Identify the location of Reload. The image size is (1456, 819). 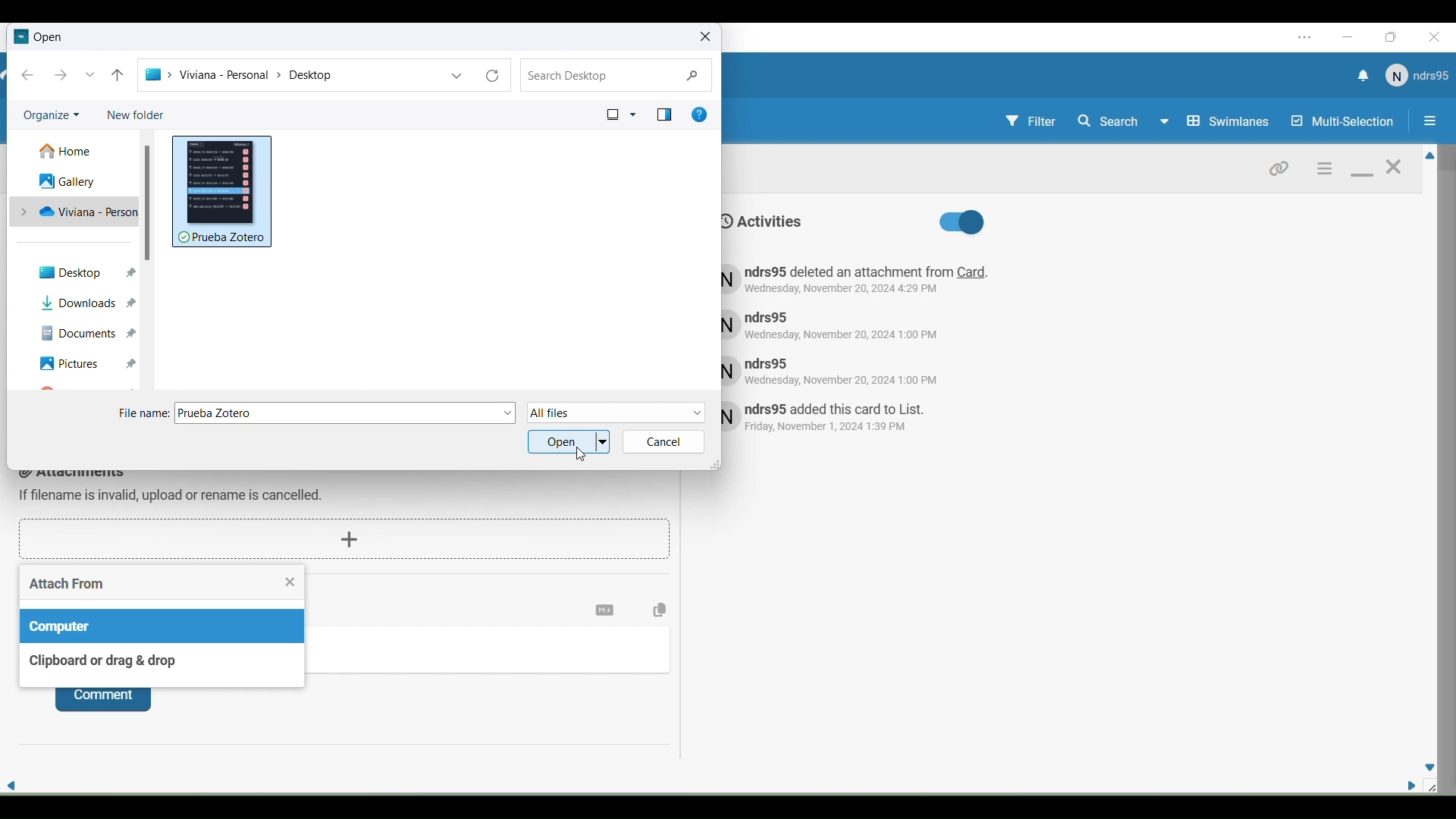
(493, 75).